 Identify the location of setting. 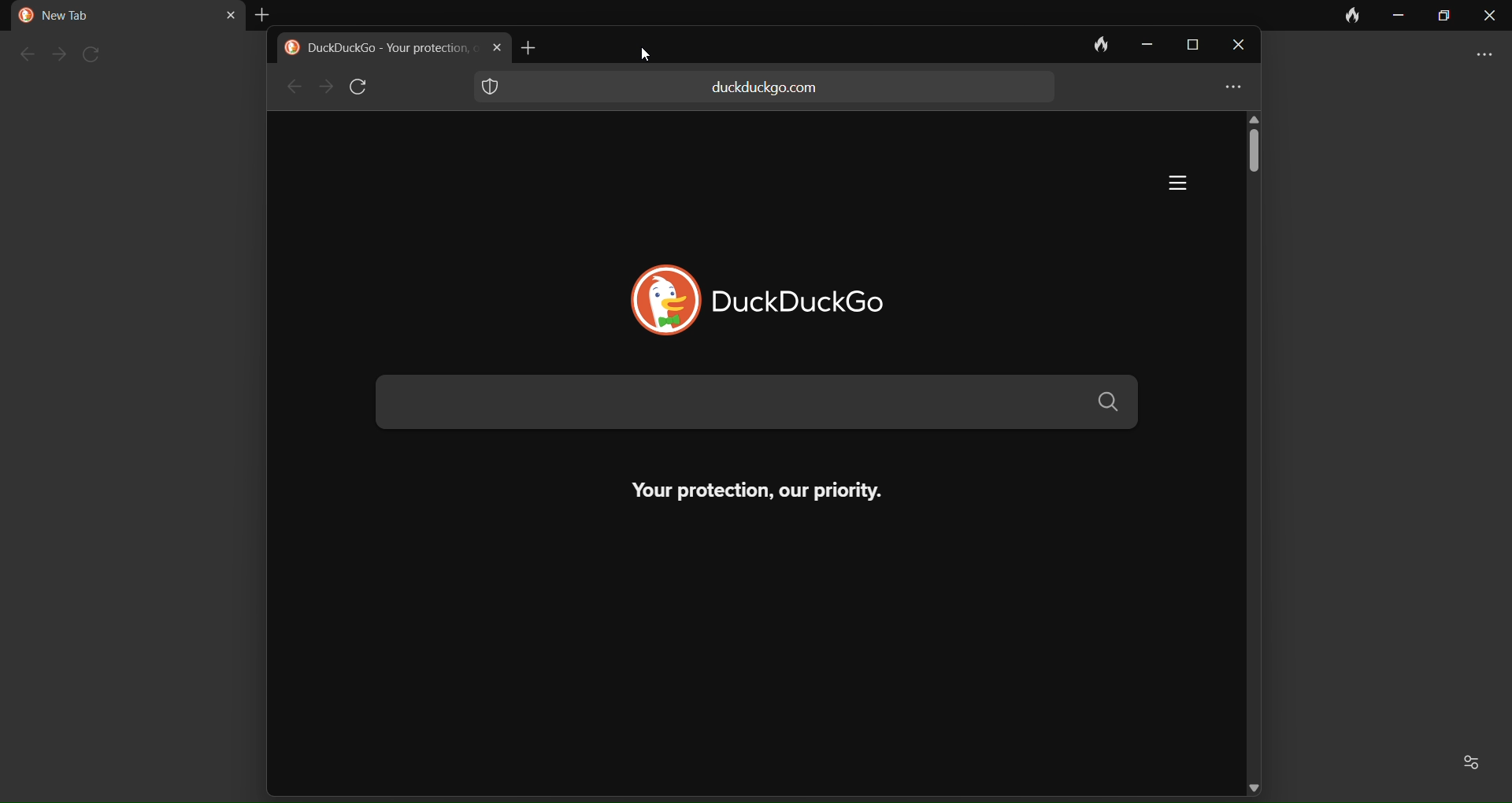
(1475, 762).